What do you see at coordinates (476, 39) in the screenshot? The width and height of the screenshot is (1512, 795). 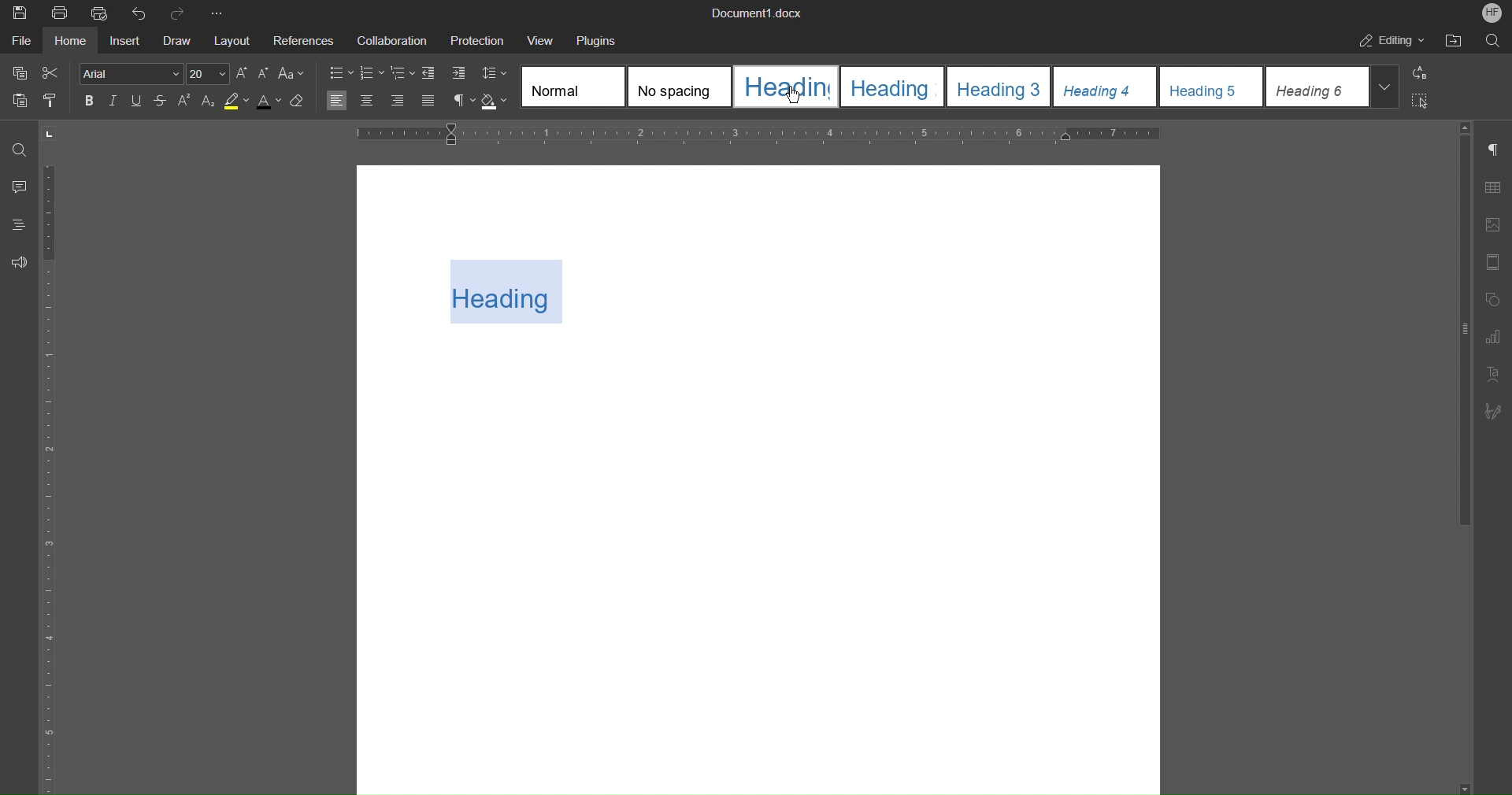 I see `Protection` at bounding box center [476, 39].